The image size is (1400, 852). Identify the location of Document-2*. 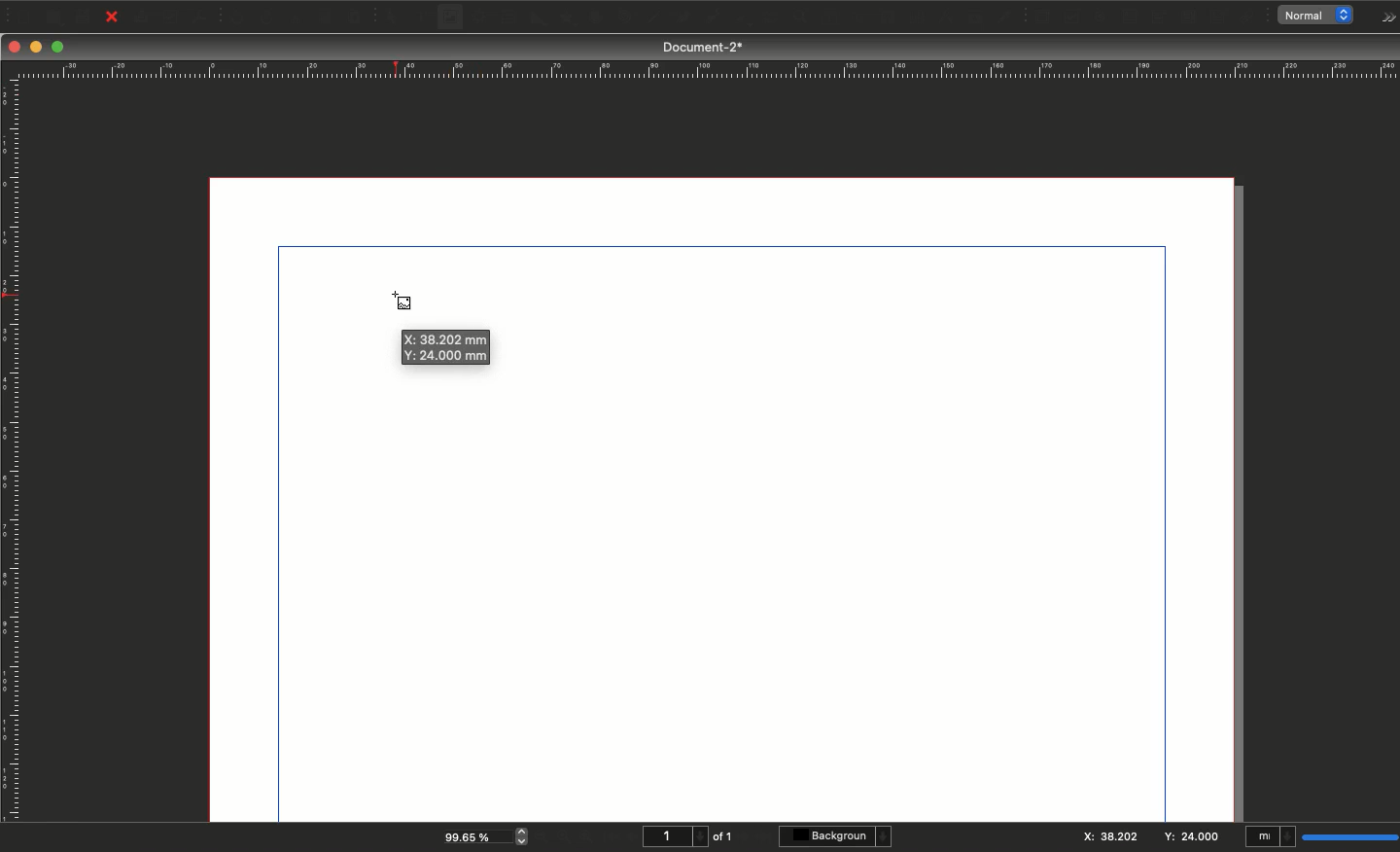
(705, 47).